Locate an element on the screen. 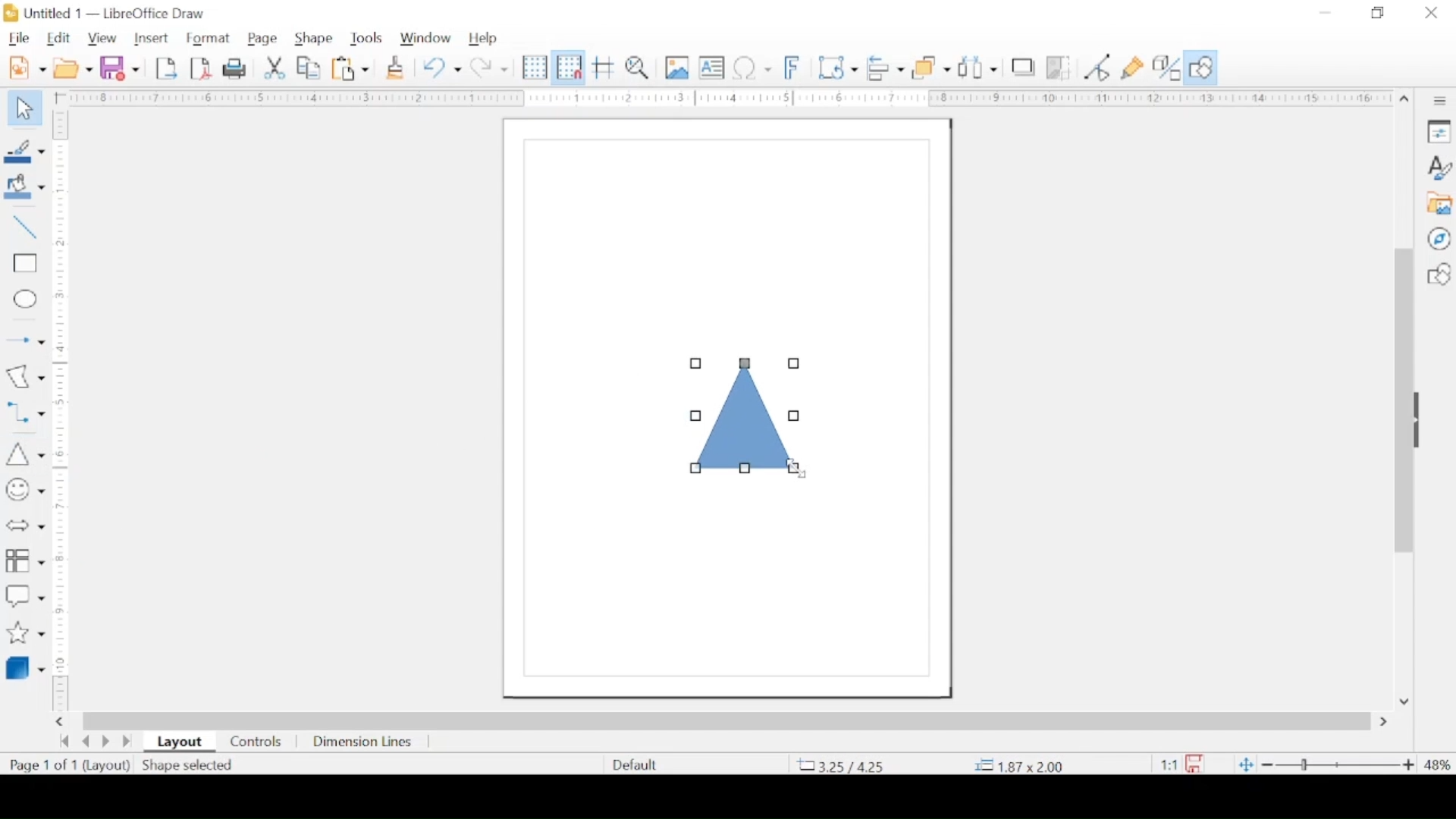 Image resolution: width=1456 pixels, height=819 pixels. undo is located at coordinates (442, 68).